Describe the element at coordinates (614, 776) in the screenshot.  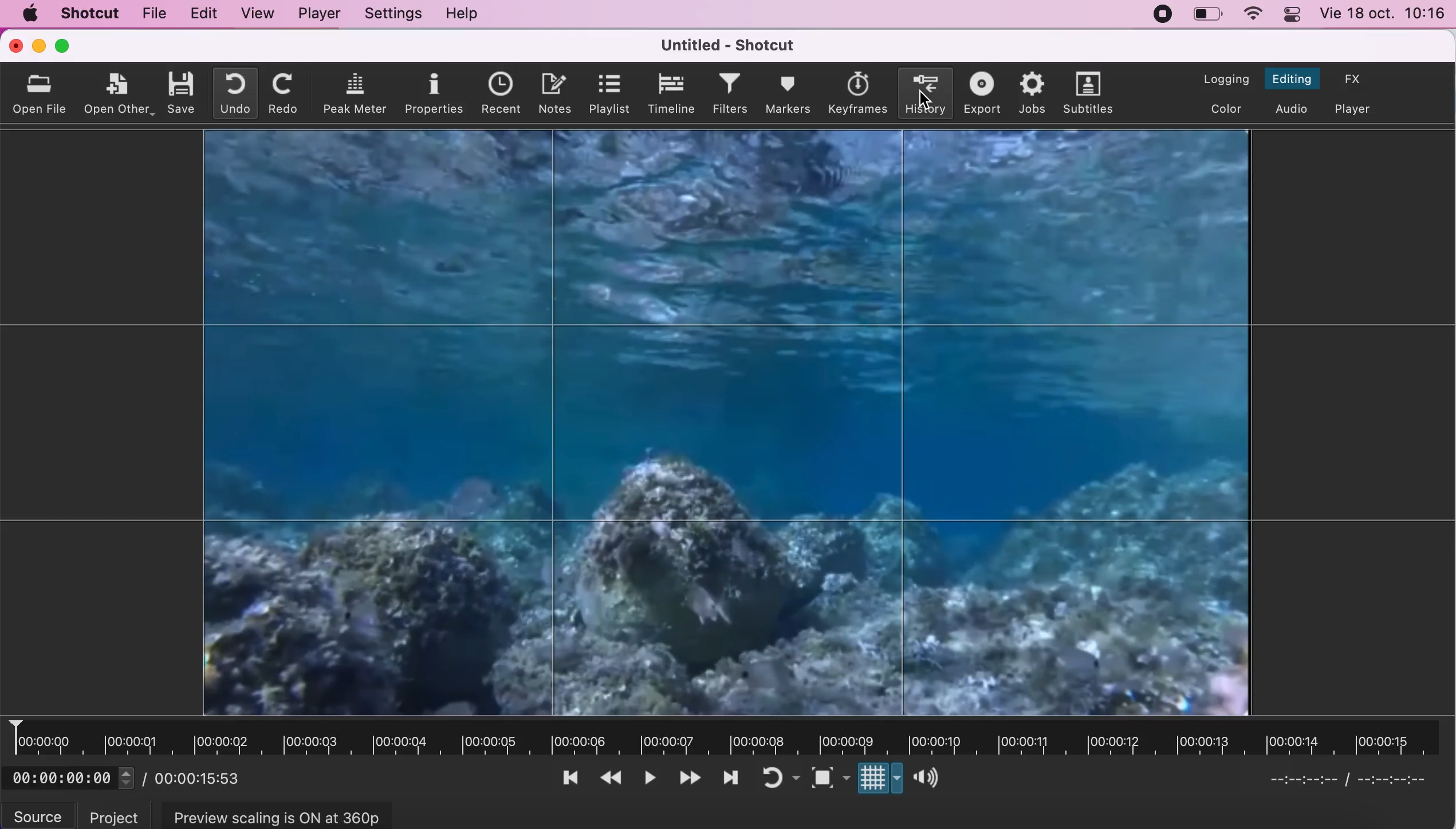
I see `play quickly backwards` at that location.